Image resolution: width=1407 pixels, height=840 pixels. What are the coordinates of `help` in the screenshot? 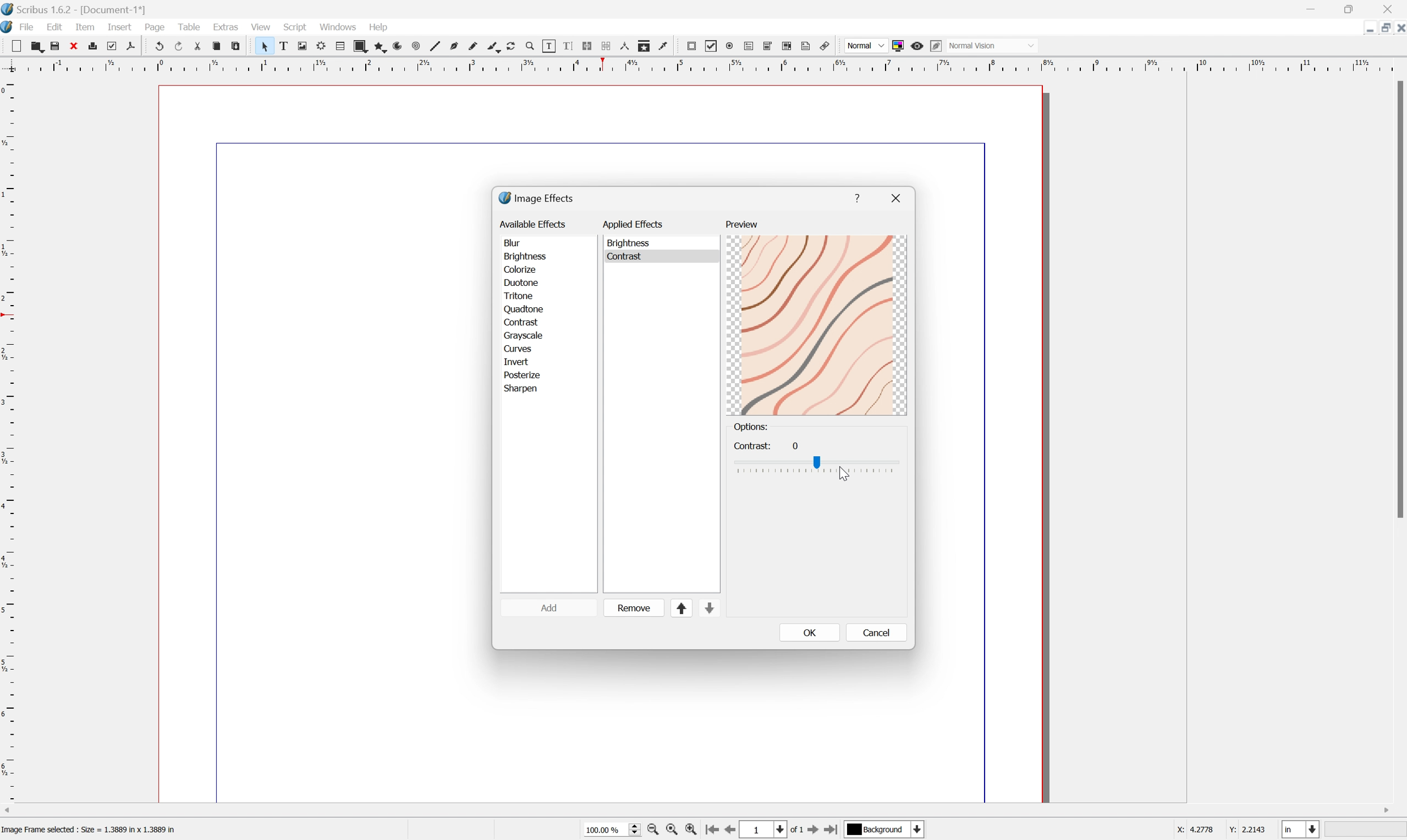 It's located at (857, 198).